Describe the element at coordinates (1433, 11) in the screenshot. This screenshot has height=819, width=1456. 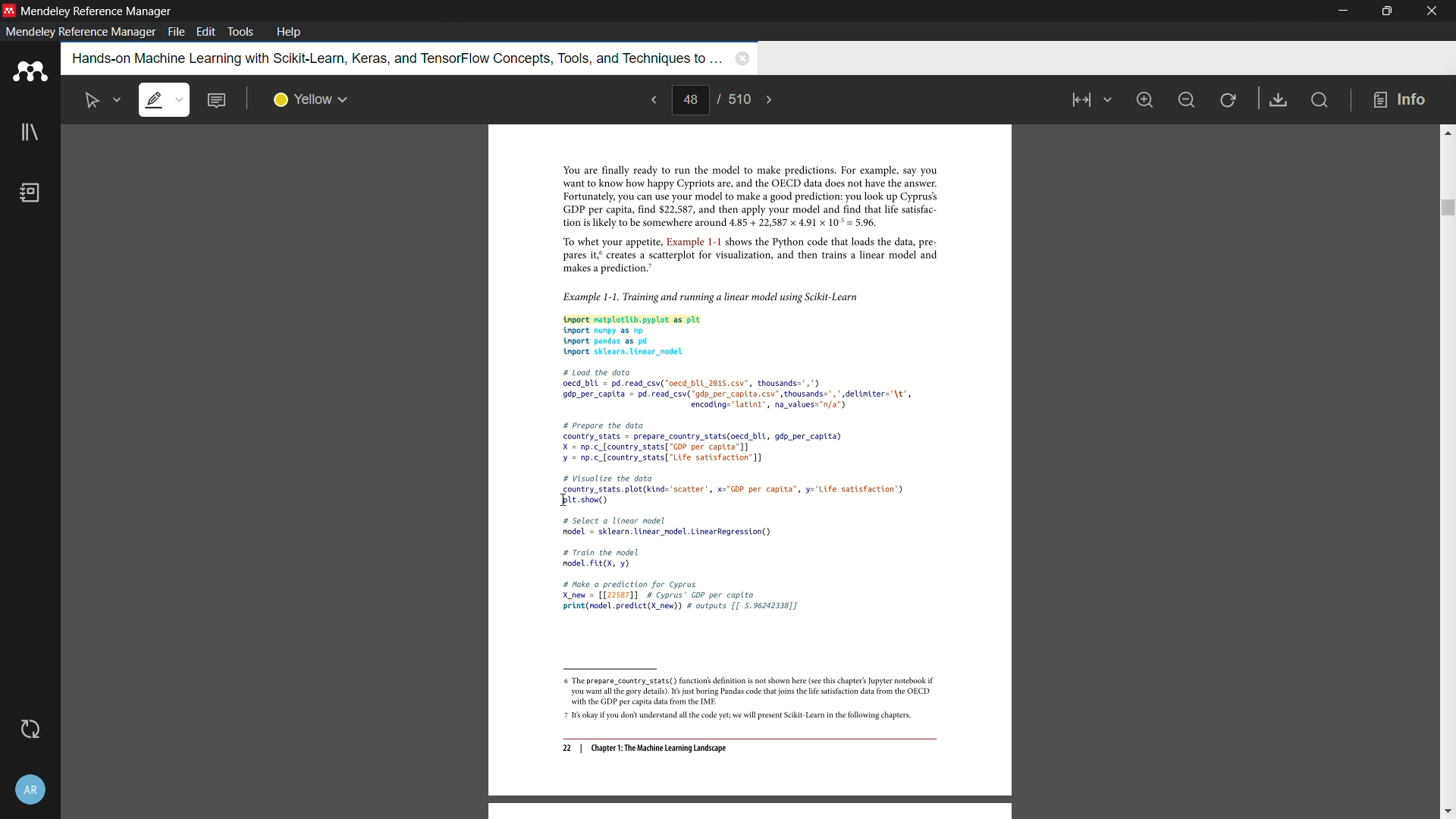
I see `close` at that location.